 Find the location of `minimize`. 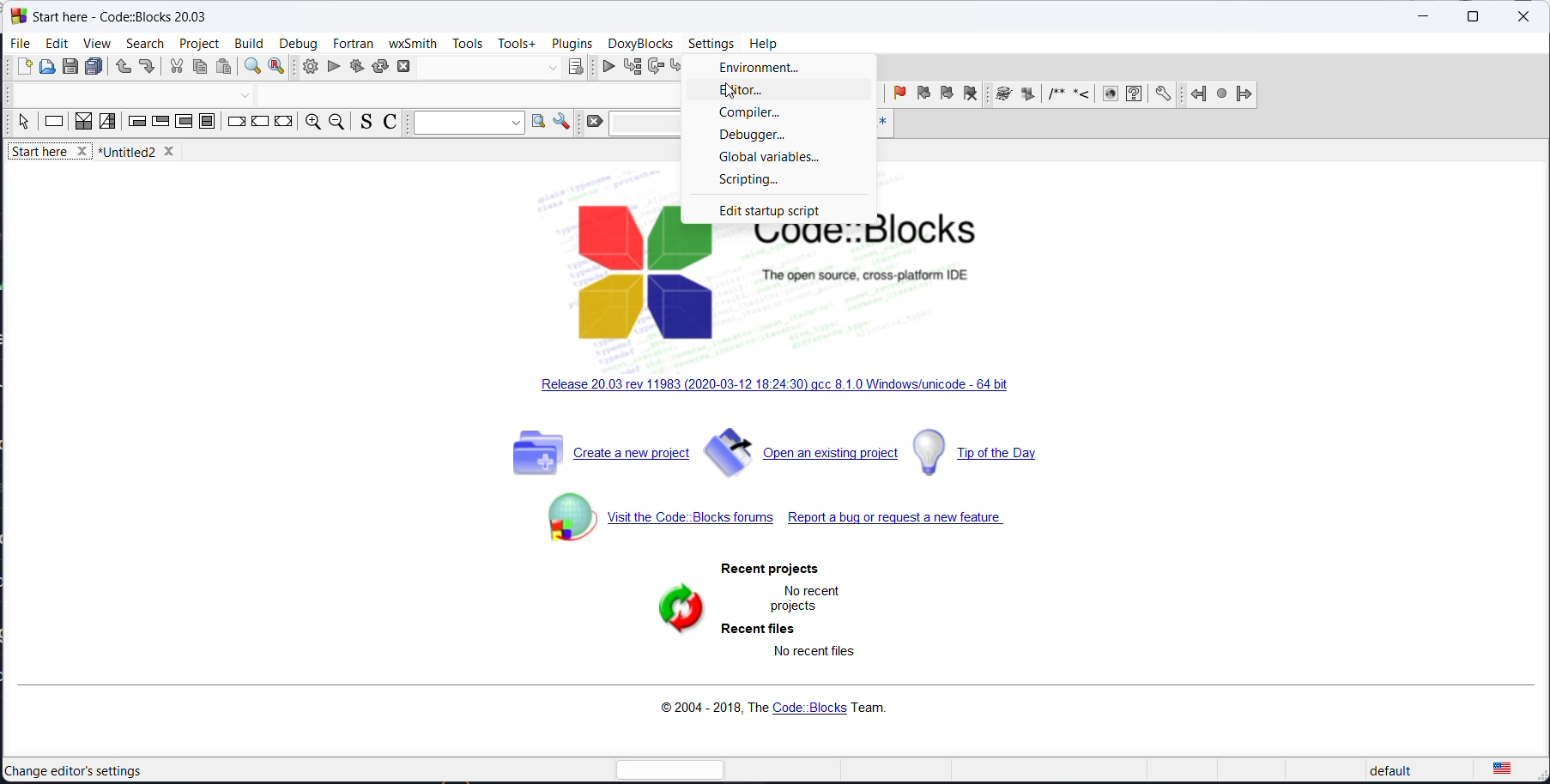

minimize is located at coordinates (1421, 19).